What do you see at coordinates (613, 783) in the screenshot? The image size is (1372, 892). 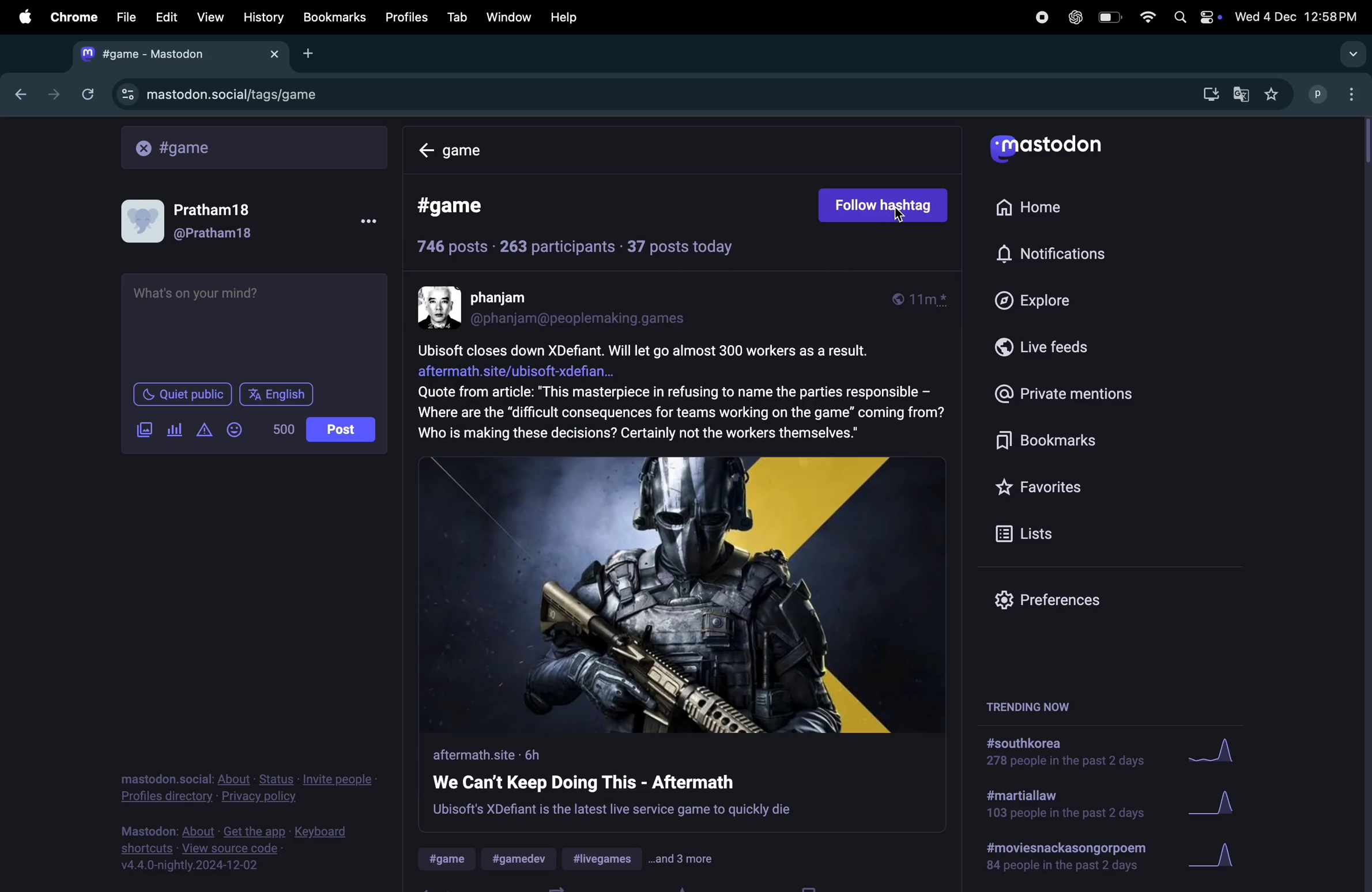 I see `we cant keep doing ` at bounding box center [613, 783].